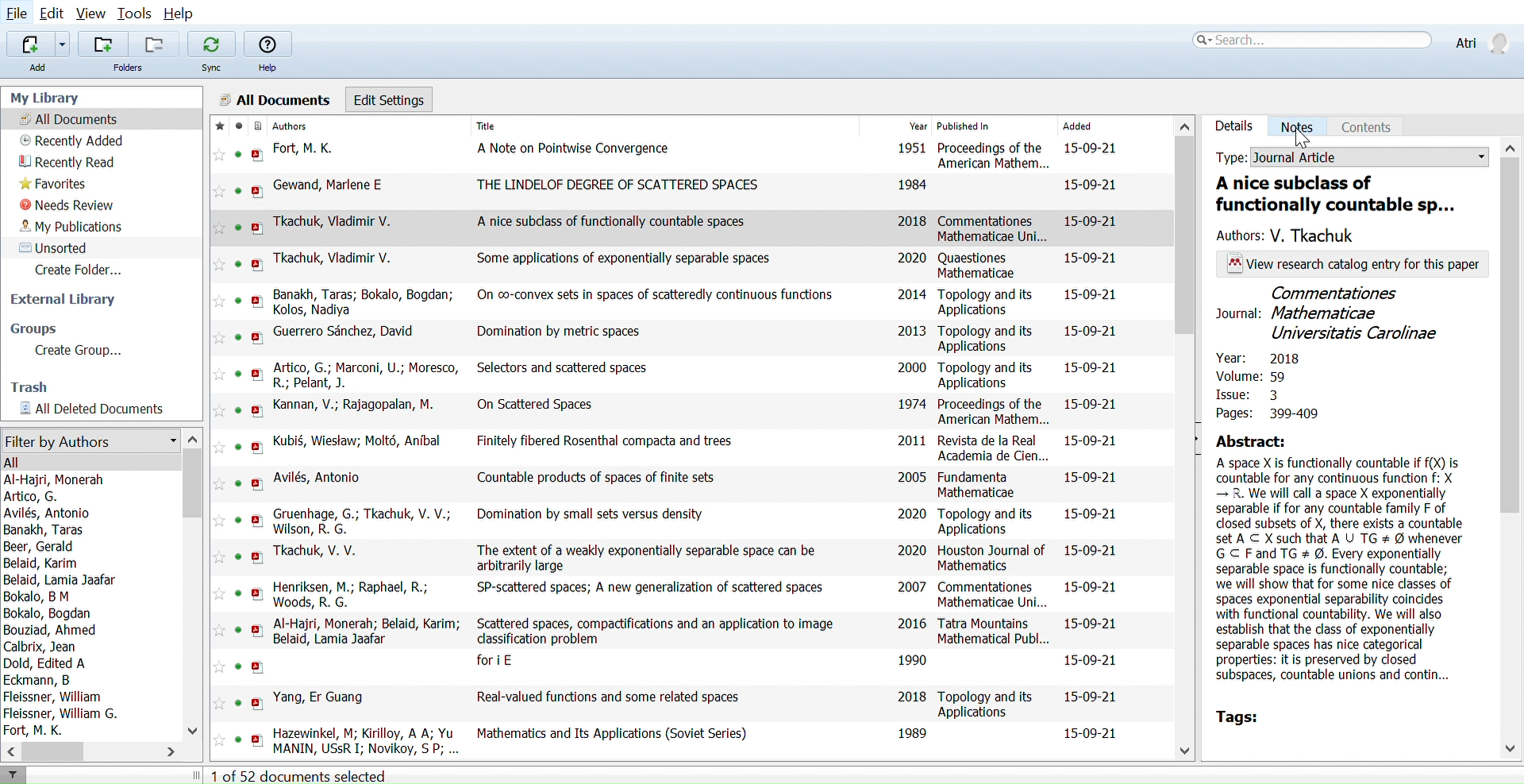 This screenshot has width=1524, height=784. What do you see at coordinates (211, 44) in the screenshot?
I see `Sync` at bounding box center [211, 44].